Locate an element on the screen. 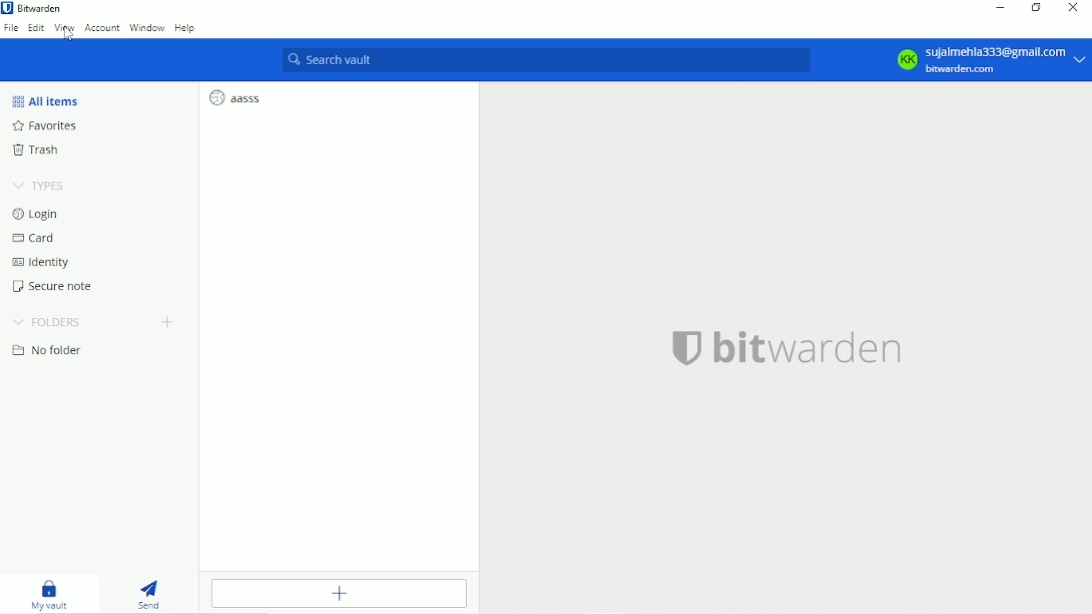 This screenshot has width=1092, height=614. No folder is located at coordinates (53, 353).